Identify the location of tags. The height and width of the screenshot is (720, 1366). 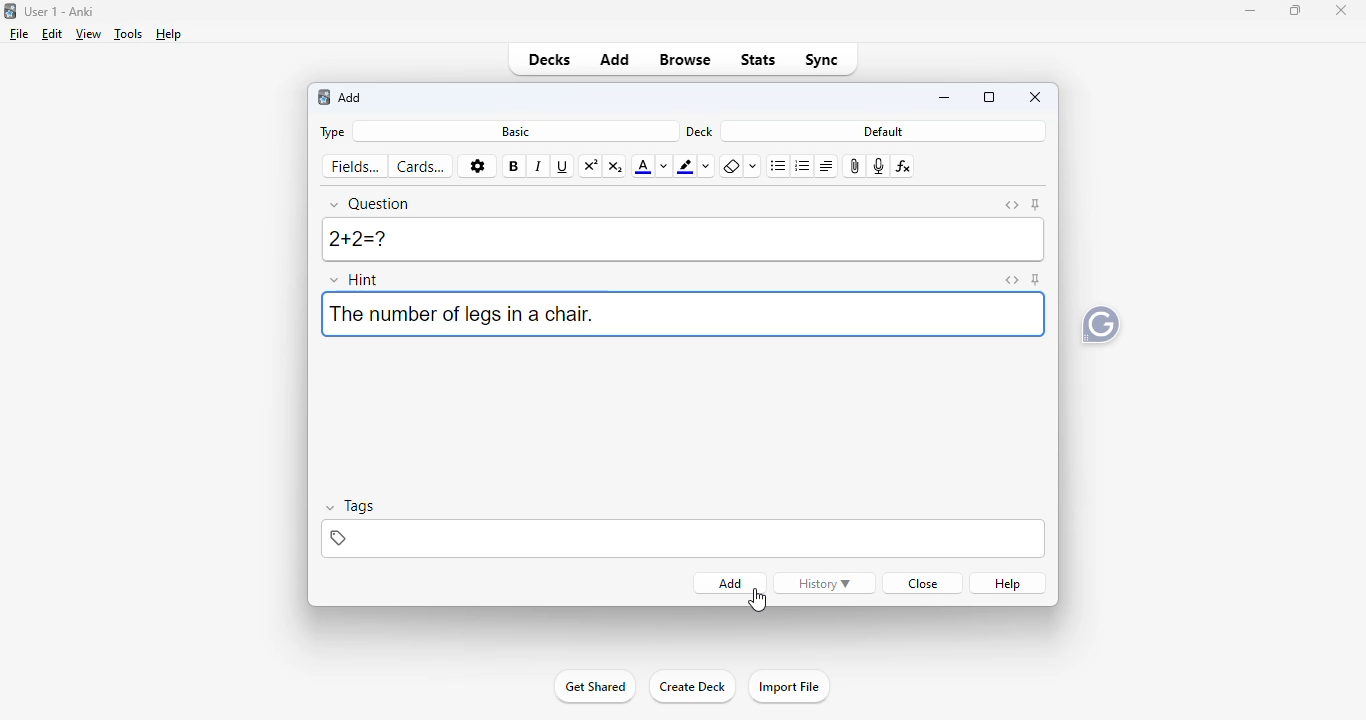
(350, 506).